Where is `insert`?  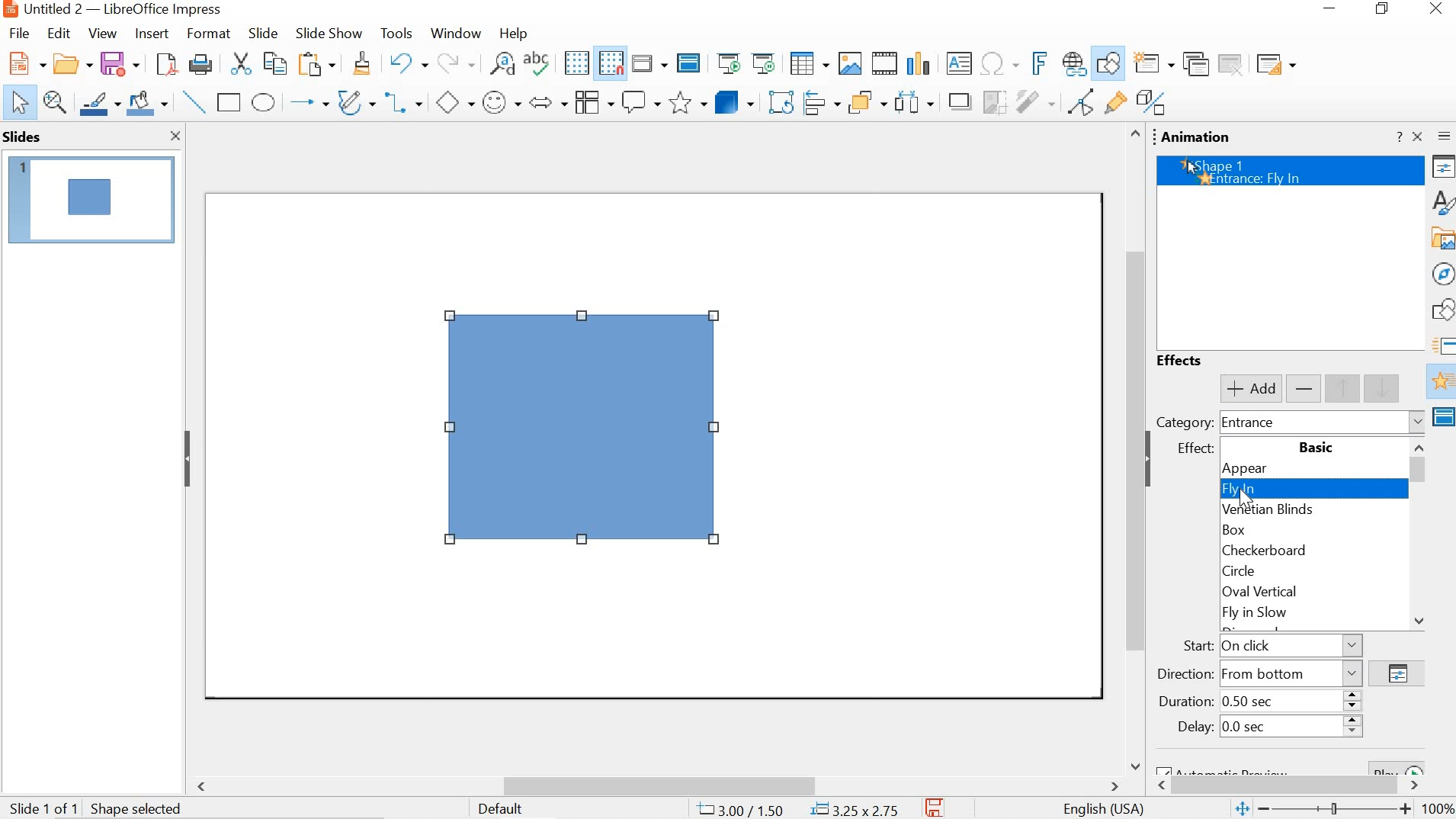
insert is located at coordinates (152, 34).